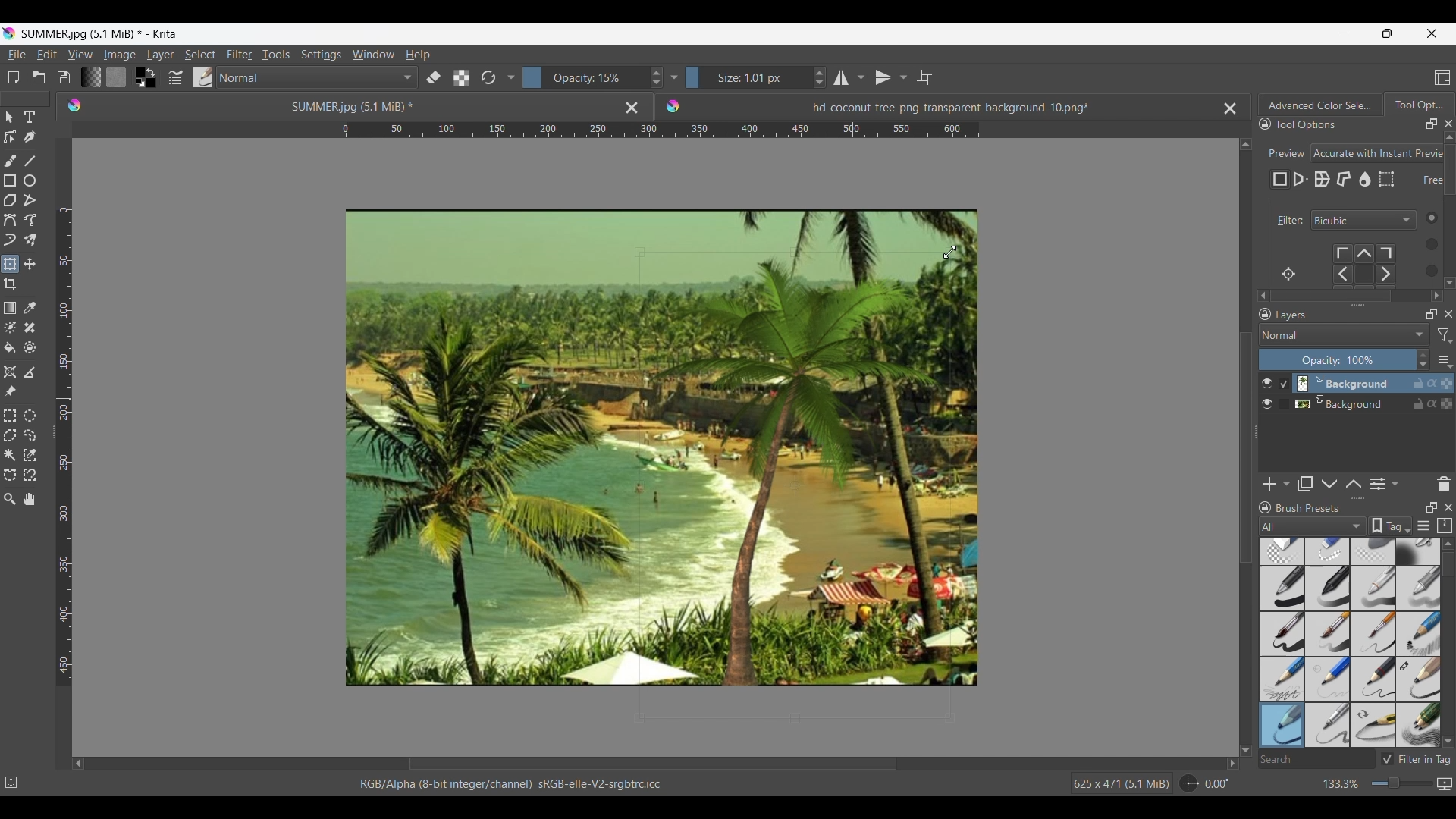  I want to click on Search brush manually, so click(1316, 759).